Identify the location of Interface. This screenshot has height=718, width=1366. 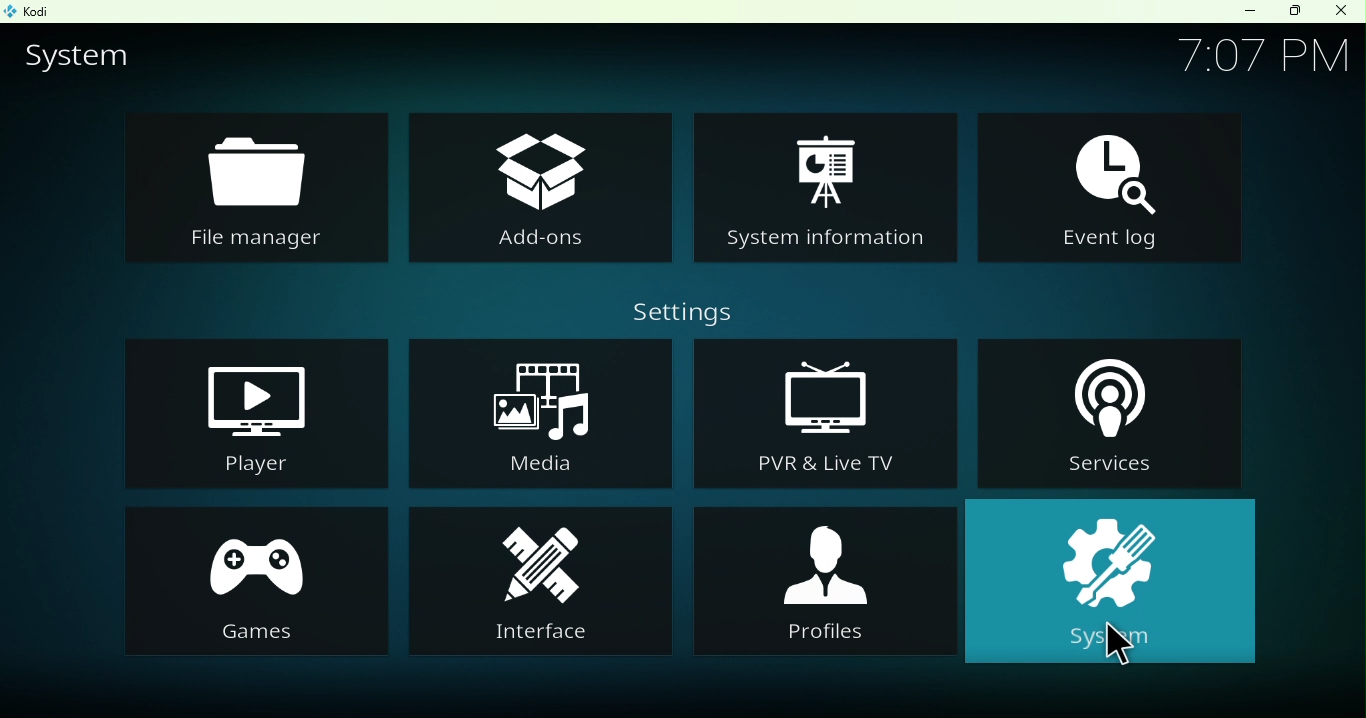
(540, 579).